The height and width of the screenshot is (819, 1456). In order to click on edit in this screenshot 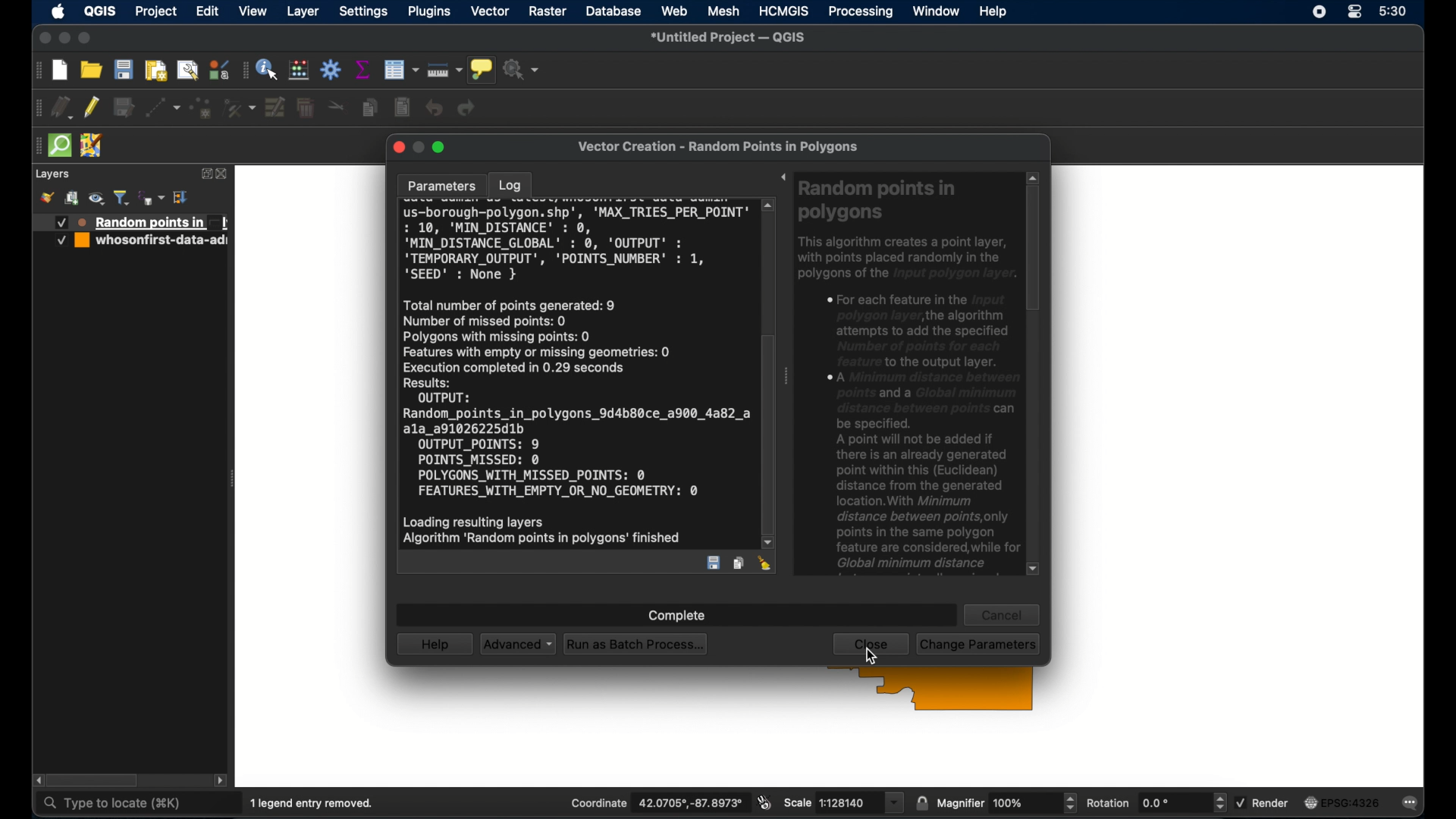, I will do `click(207, 11)`.